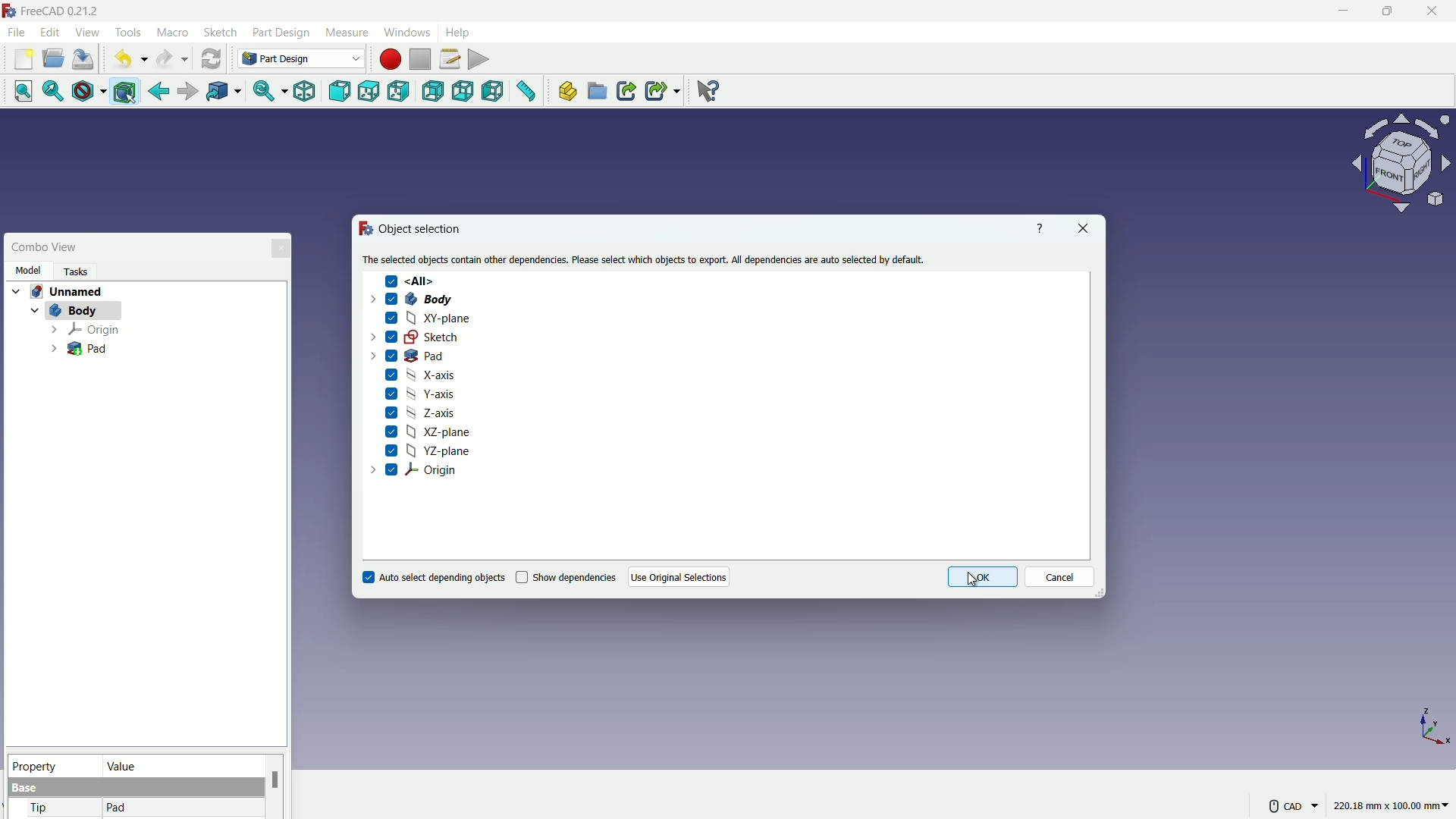  Describe the element at coordinates (372, 91) in the screenshot. I see `top view` at that location.